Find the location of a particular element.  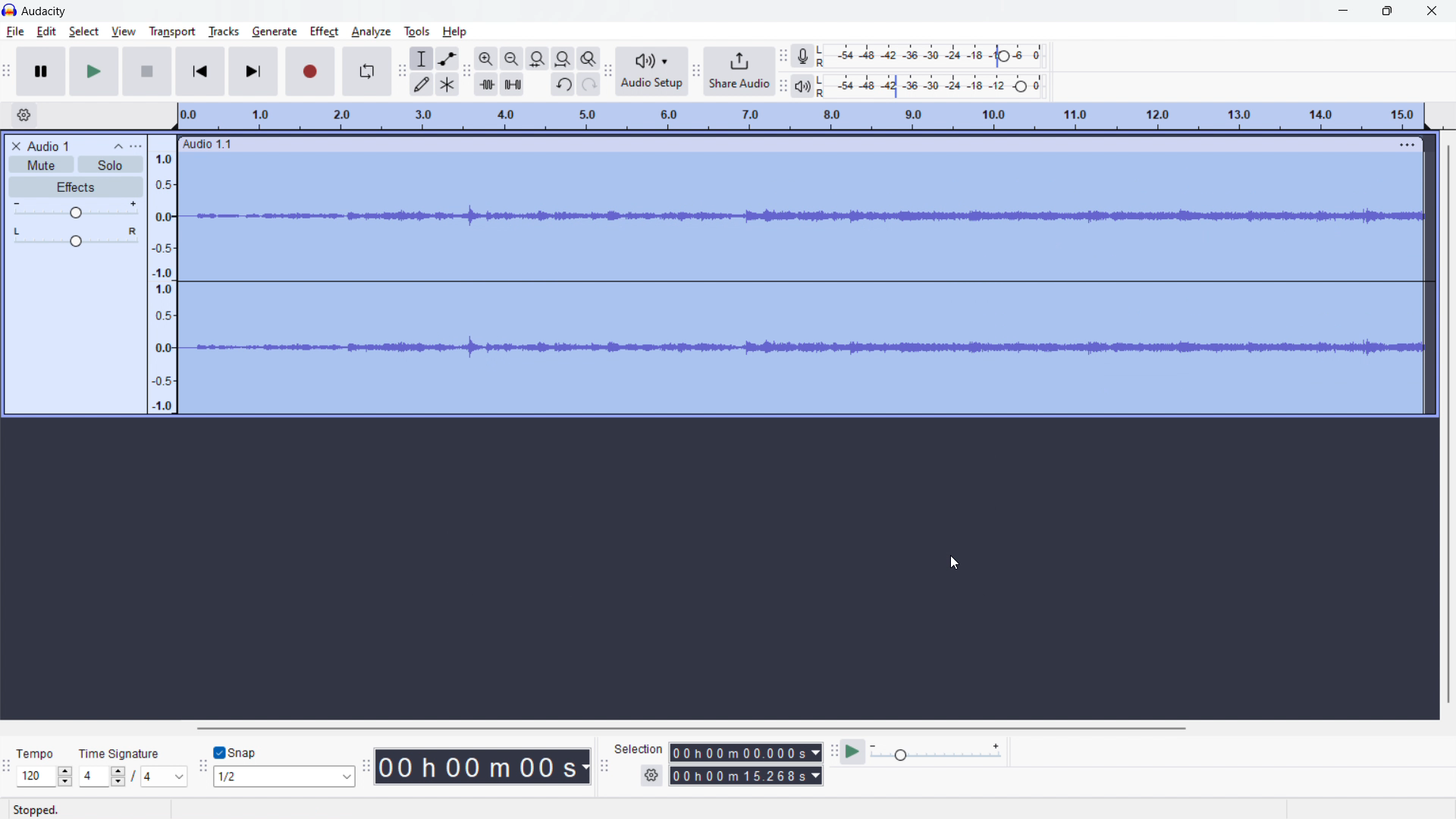

amplitude is located at coordinates (161, 273).